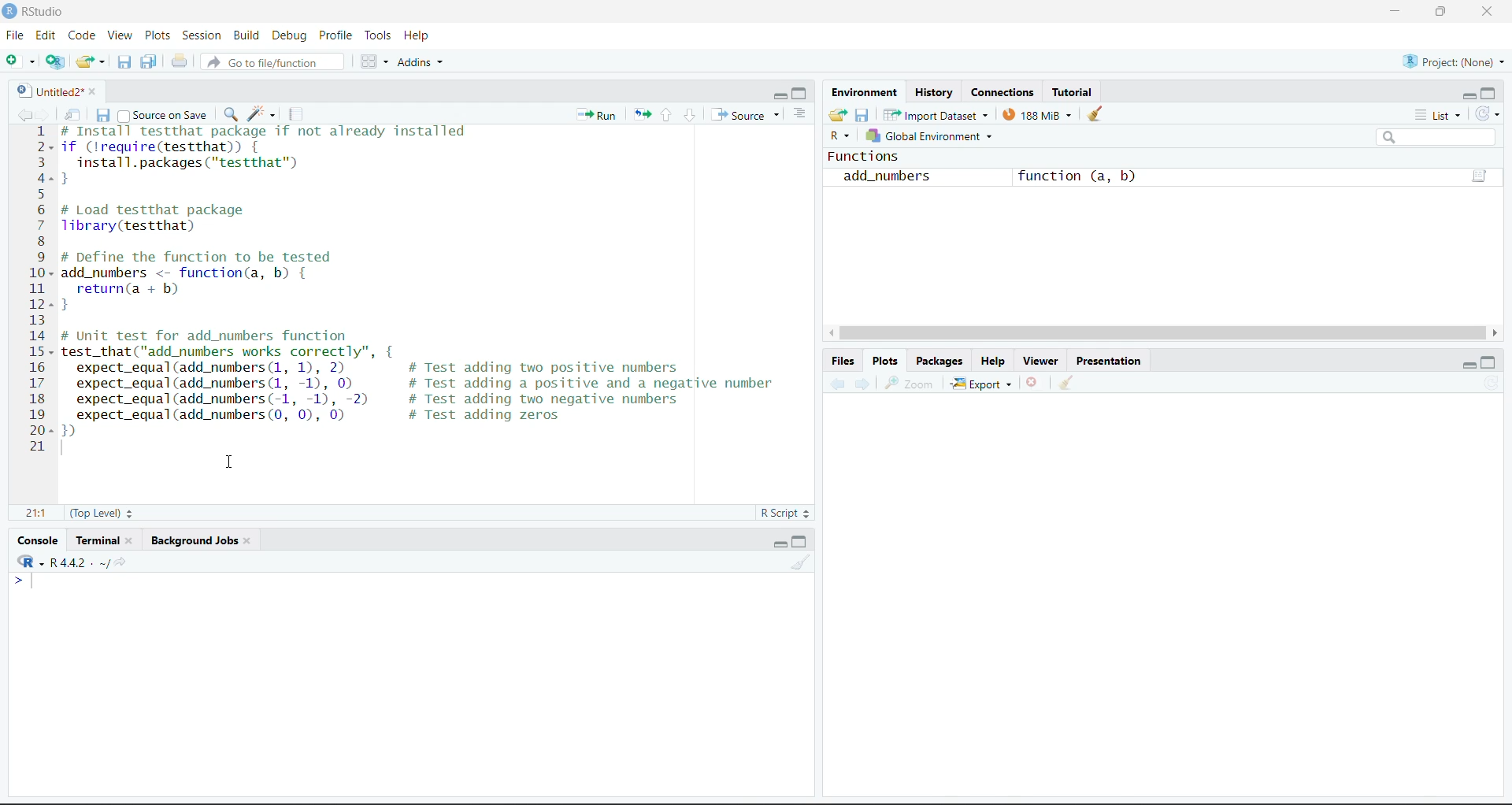 This screenshot has width=1512, height=805. What do you see at coordinates (56, 561) in the screenshot?
I see `R.4.4.2 ` at bounding box center [56, 561].